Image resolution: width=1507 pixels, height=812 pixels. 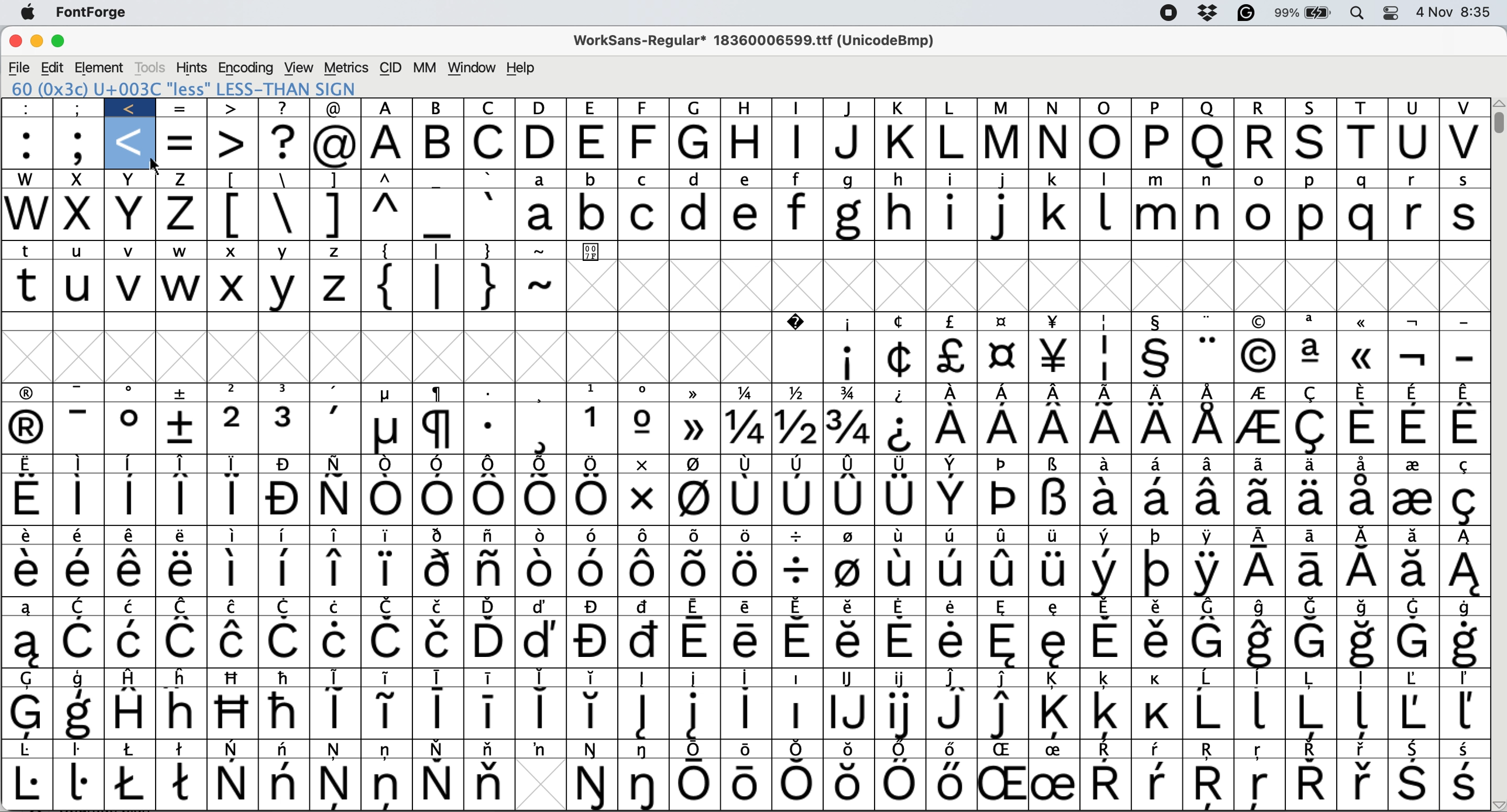 I want to click on Symbol, so click(x=1363, y=749).